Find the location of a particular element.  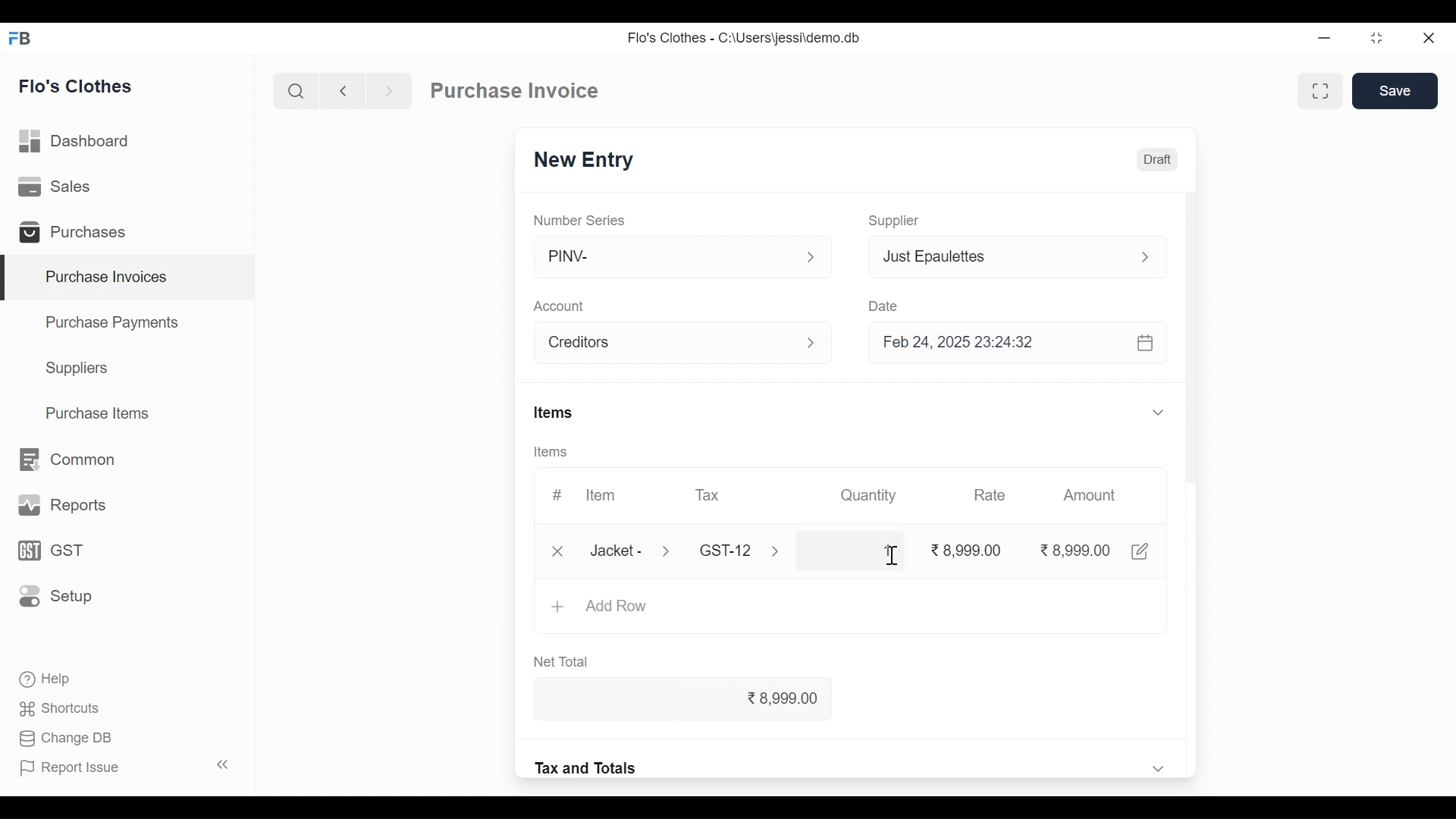

Reports is located at coordinates (59, 504).